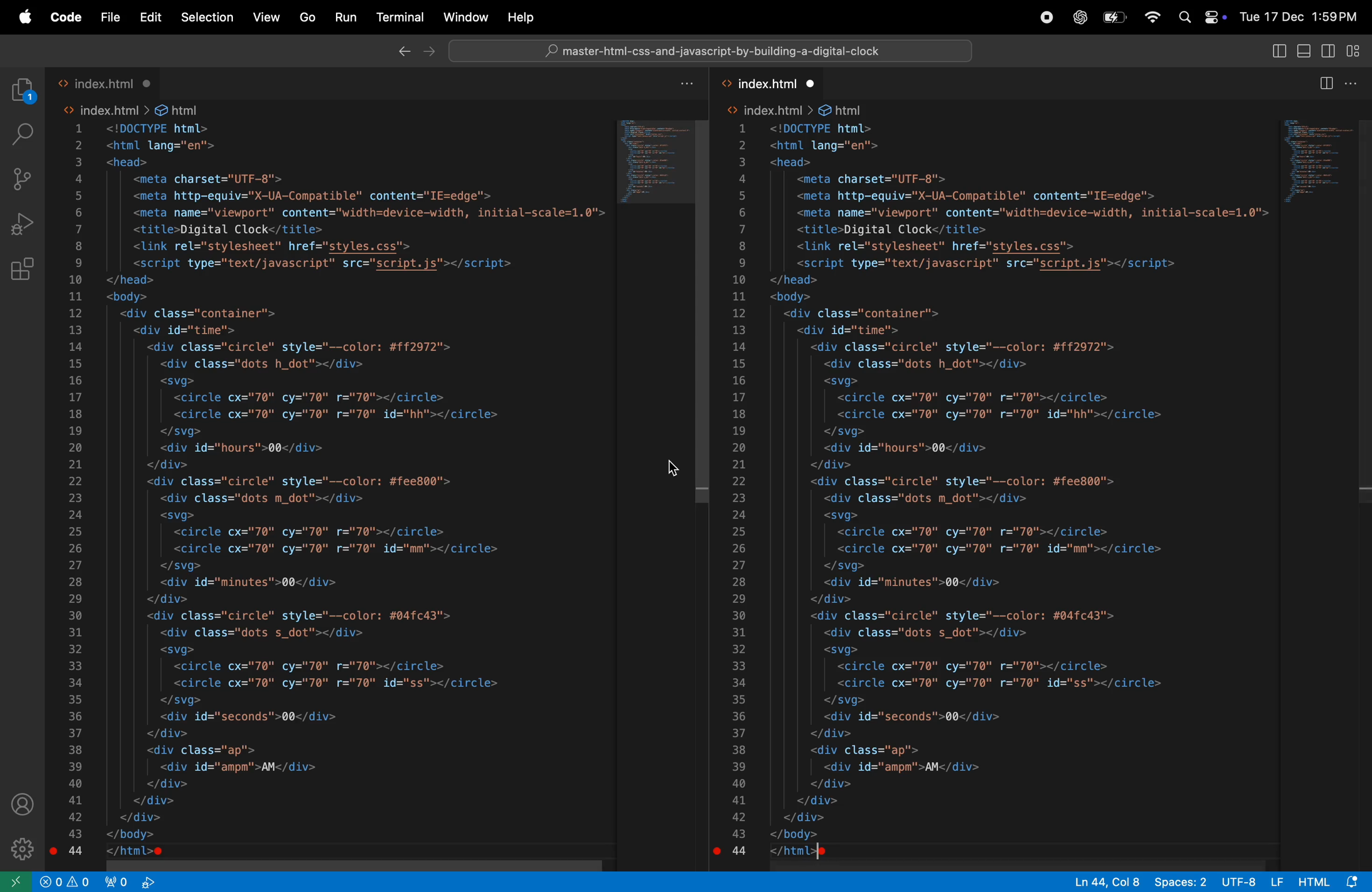  Describe the element at coordinates (796, 110) in the screenshot. I see `<> index.html > & html` at that location.